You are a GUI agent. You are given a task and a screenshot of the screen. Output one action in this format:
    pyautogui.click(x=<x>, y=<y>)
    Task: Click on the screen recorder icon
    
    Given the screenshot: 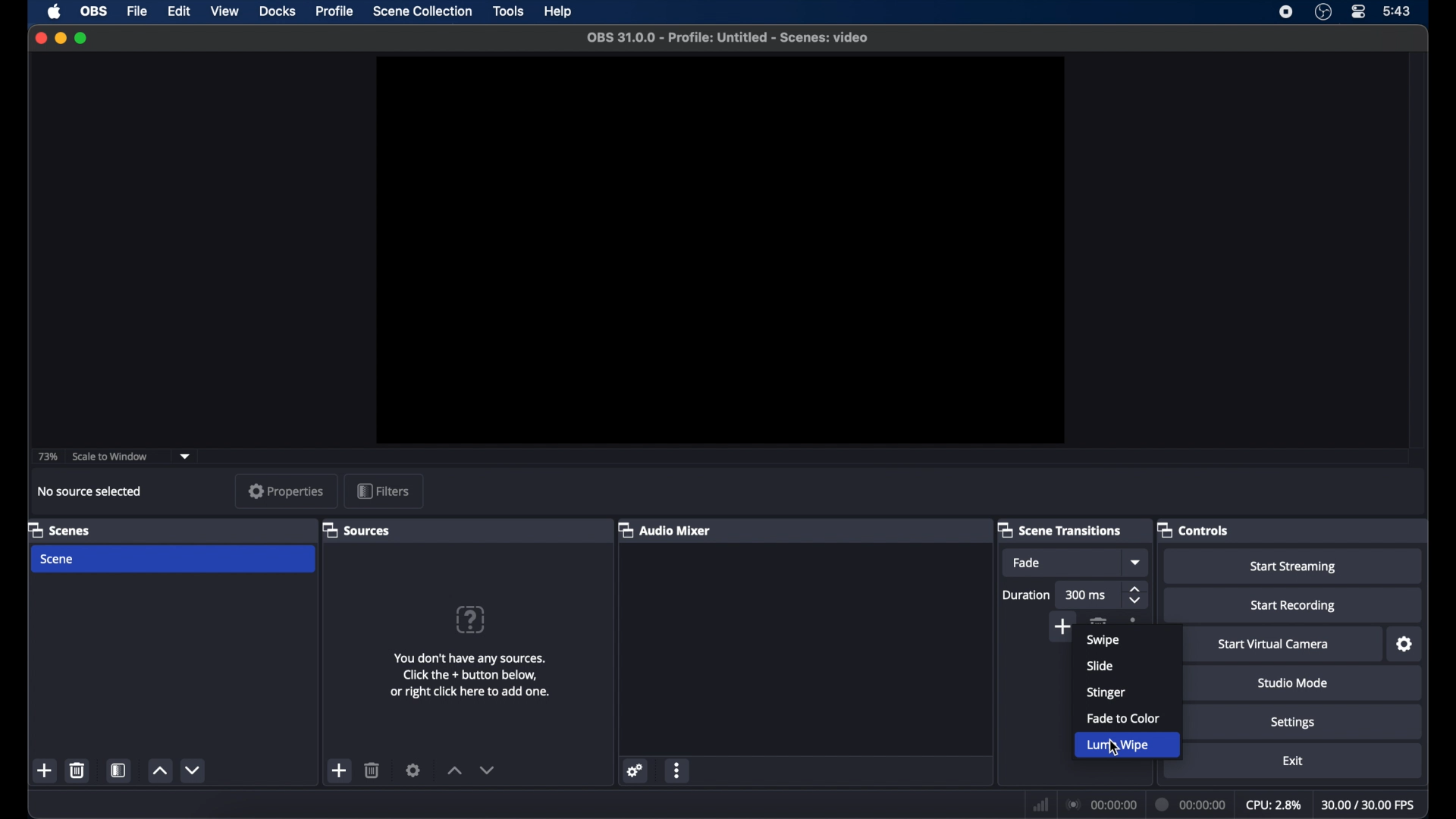 What is the action you would take?
    pyautogui.click(x=1285, y=12)
    